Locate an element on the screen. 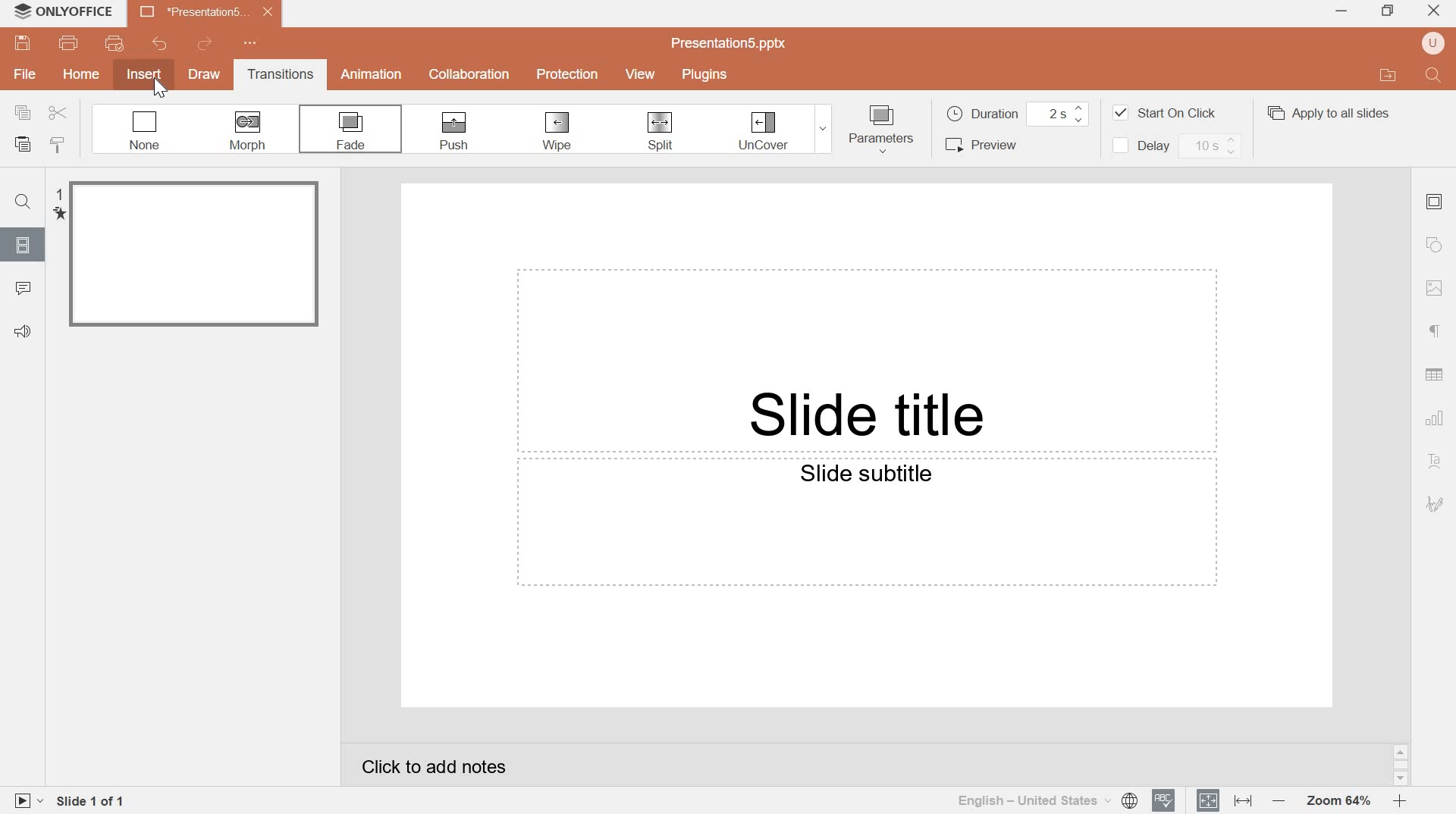  Home is located at coordinates (82, 73).